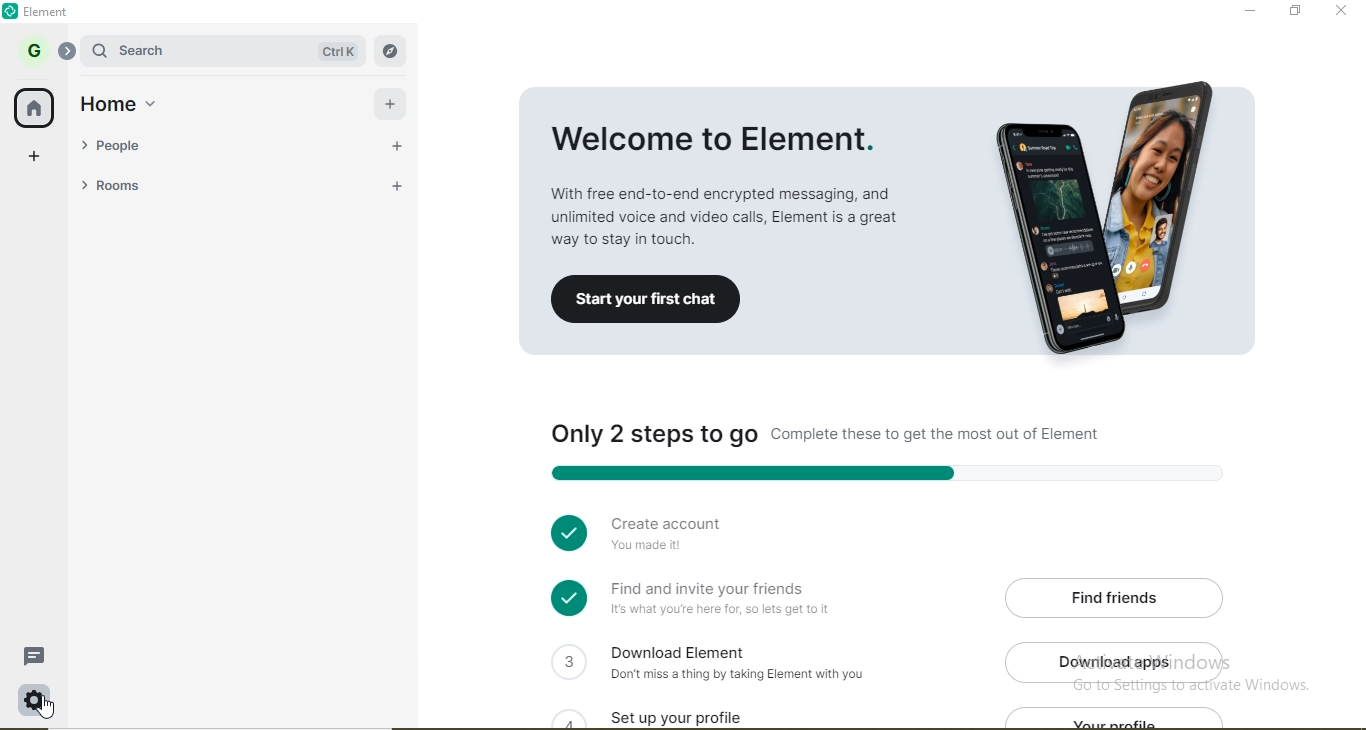 The height and width of the screenshot is (730, 1366). Describe the element at coordinates (51, 12) in the screenshot. I see `element` at that location.